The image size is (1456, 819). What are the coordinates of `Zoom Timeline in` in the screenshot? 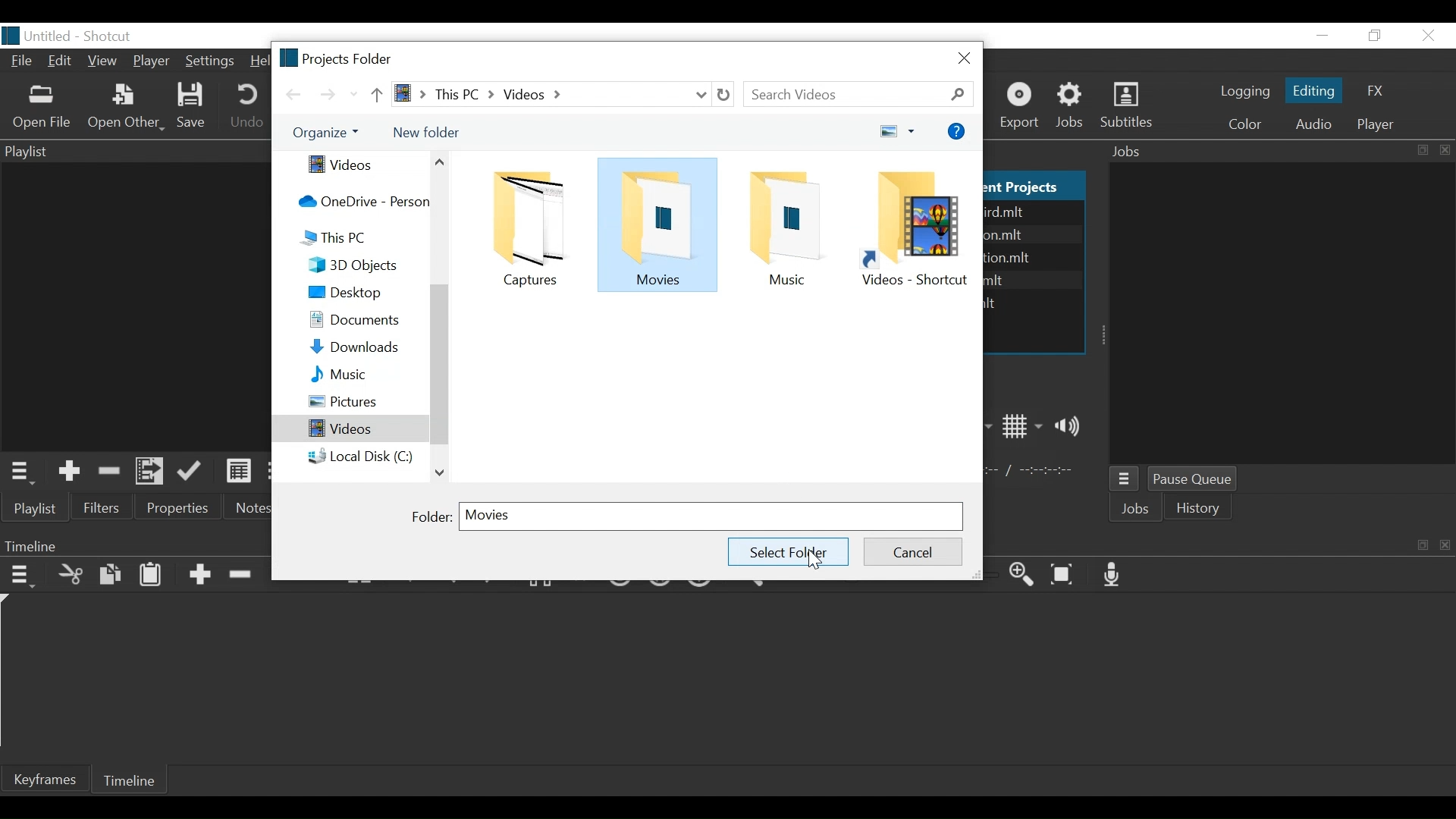 It's located at (1021, 575).